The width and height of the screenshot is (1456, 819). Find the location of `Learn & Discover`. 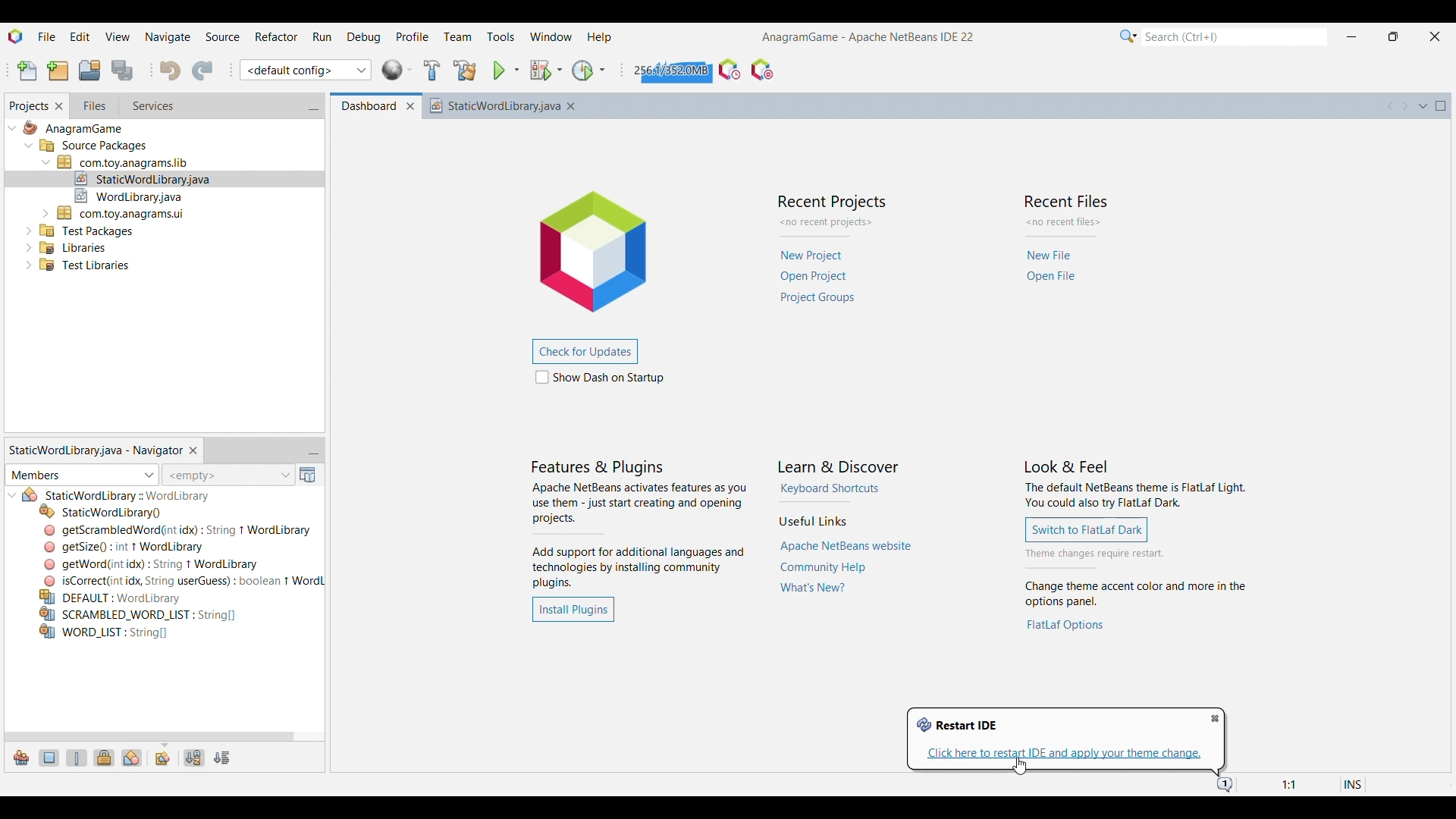

Learn & Discover is located at coordinates (839, 467).